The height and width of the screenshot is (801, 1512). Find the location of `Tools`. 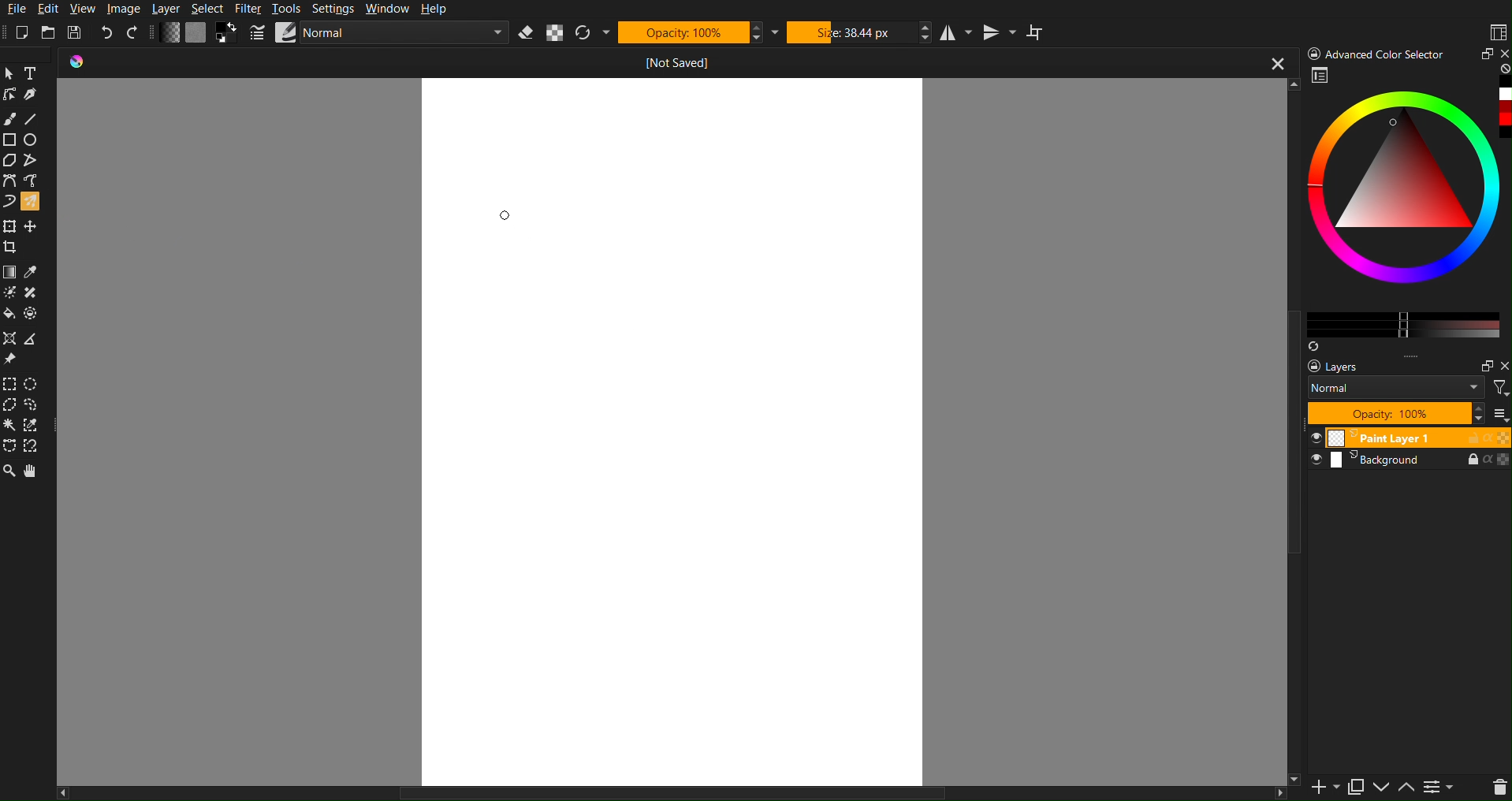

Tools is located at coordinates (289, 9).